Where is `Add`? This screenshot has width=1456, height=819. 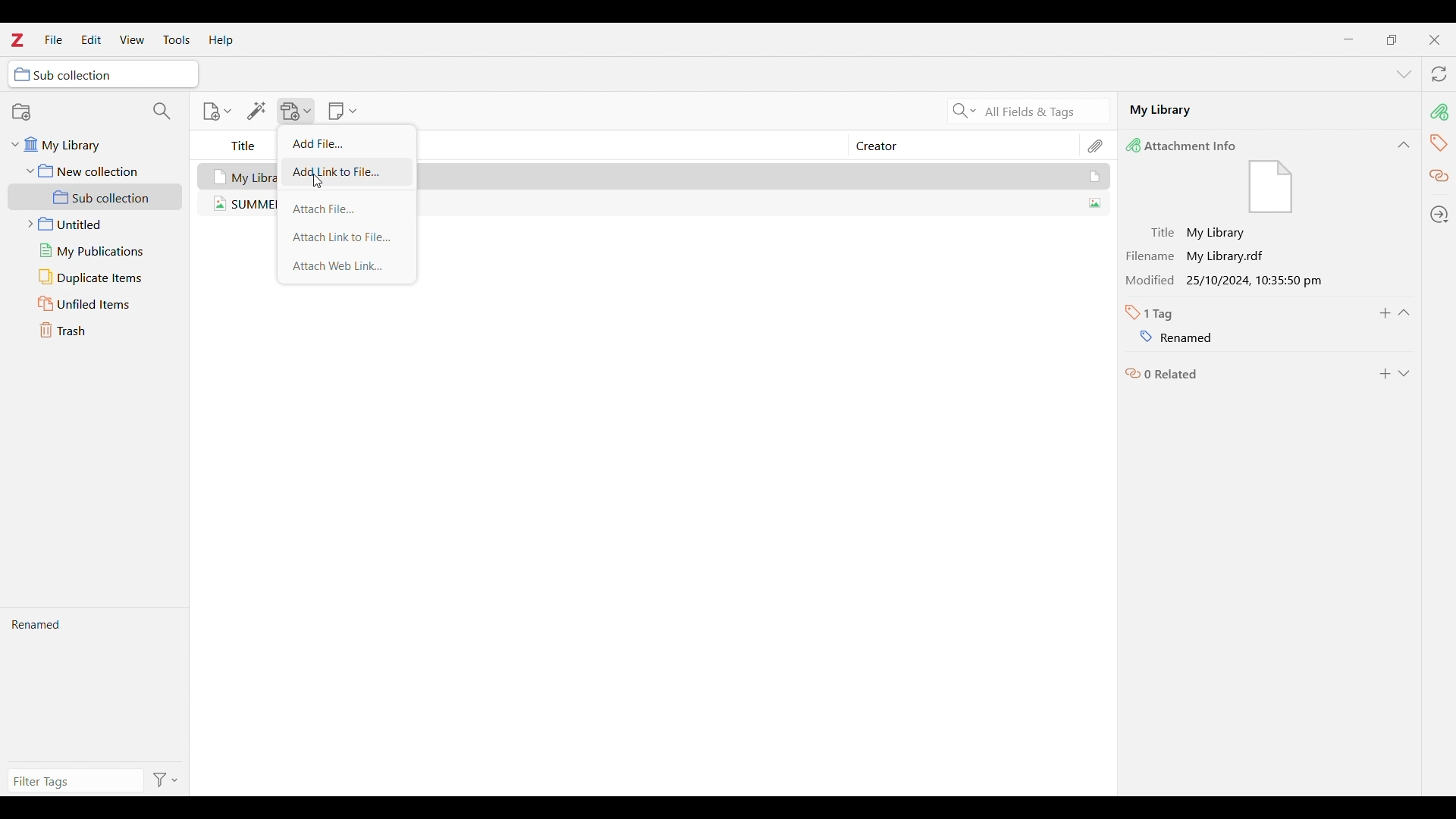 Add is located at coordinates (1385, 313).